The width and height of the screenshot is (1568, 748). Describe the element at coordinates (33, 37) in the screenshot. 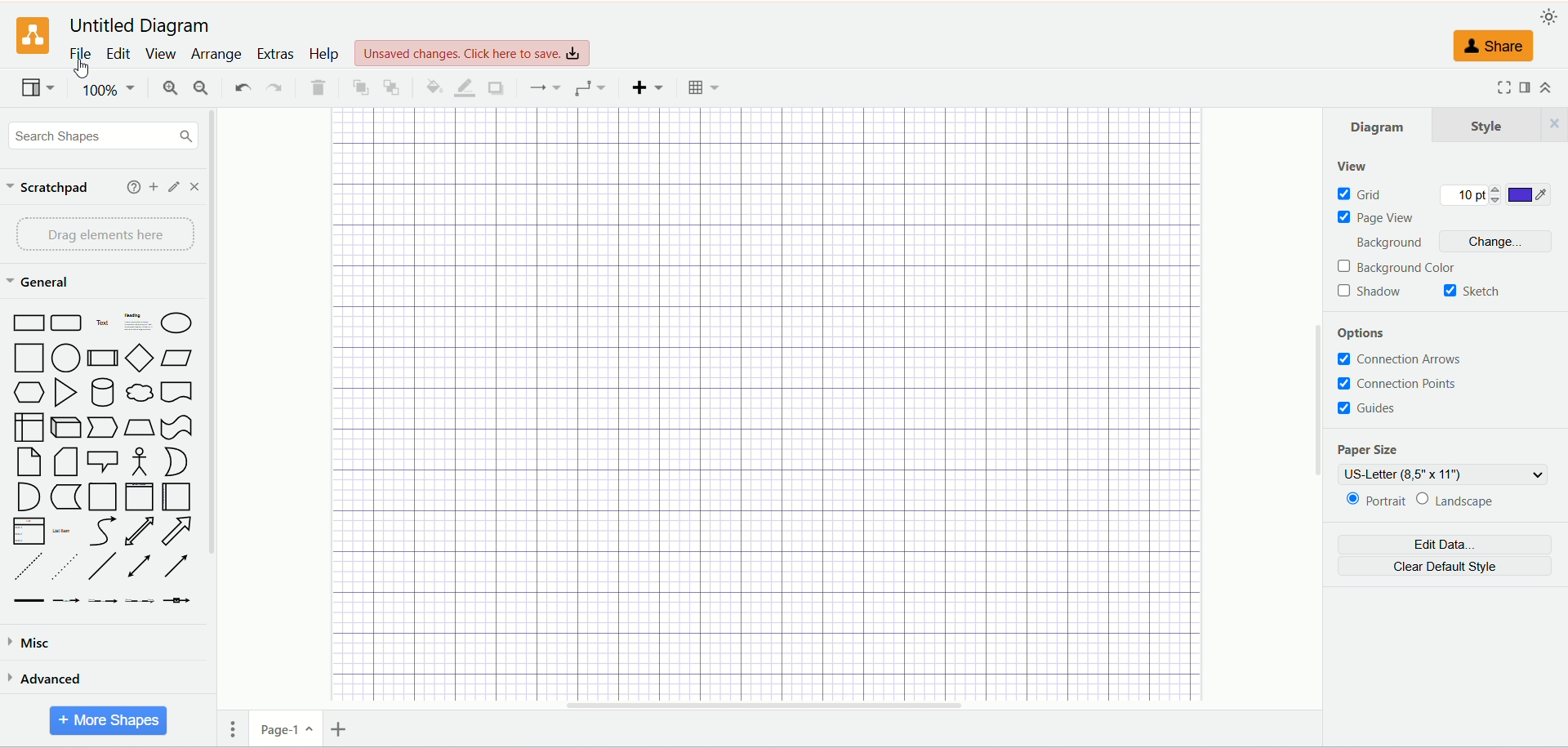

I see `logo` at that location.